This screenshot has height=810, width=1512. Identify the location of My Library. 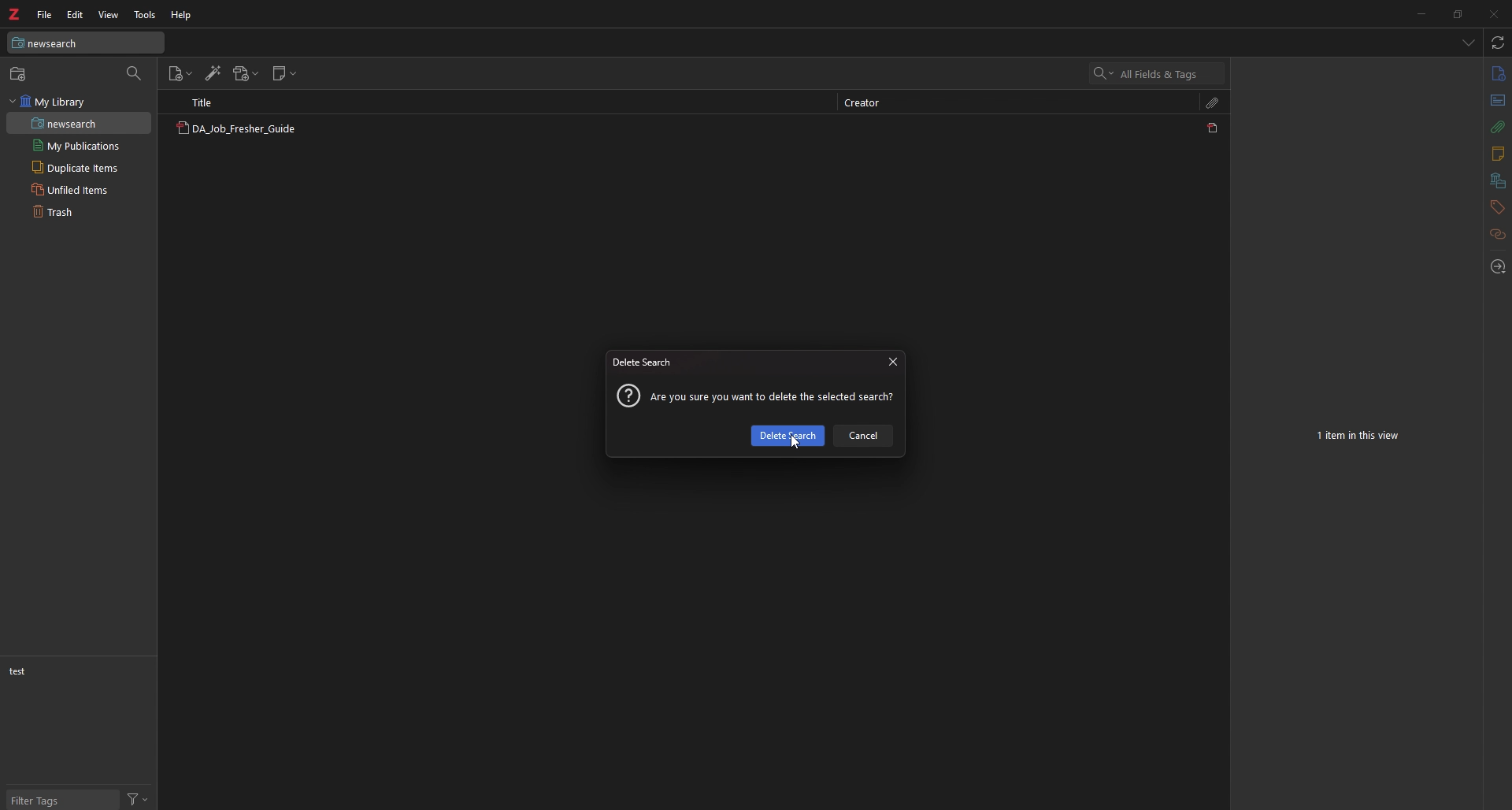
(54, 104).